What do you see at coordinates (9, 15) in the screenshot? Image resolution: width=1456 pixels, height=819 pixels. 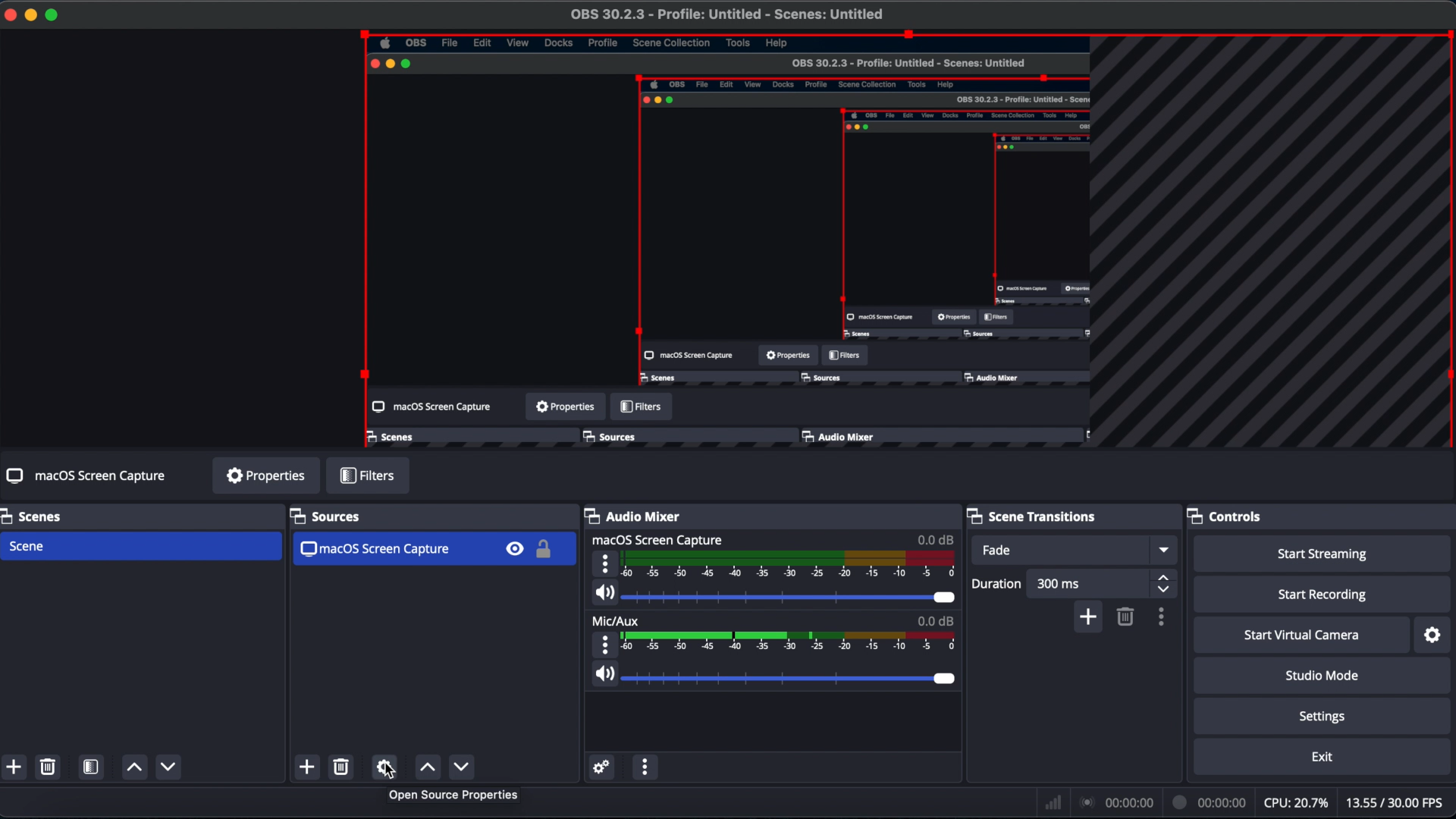 I see `close` at bounding box center [9, 15].